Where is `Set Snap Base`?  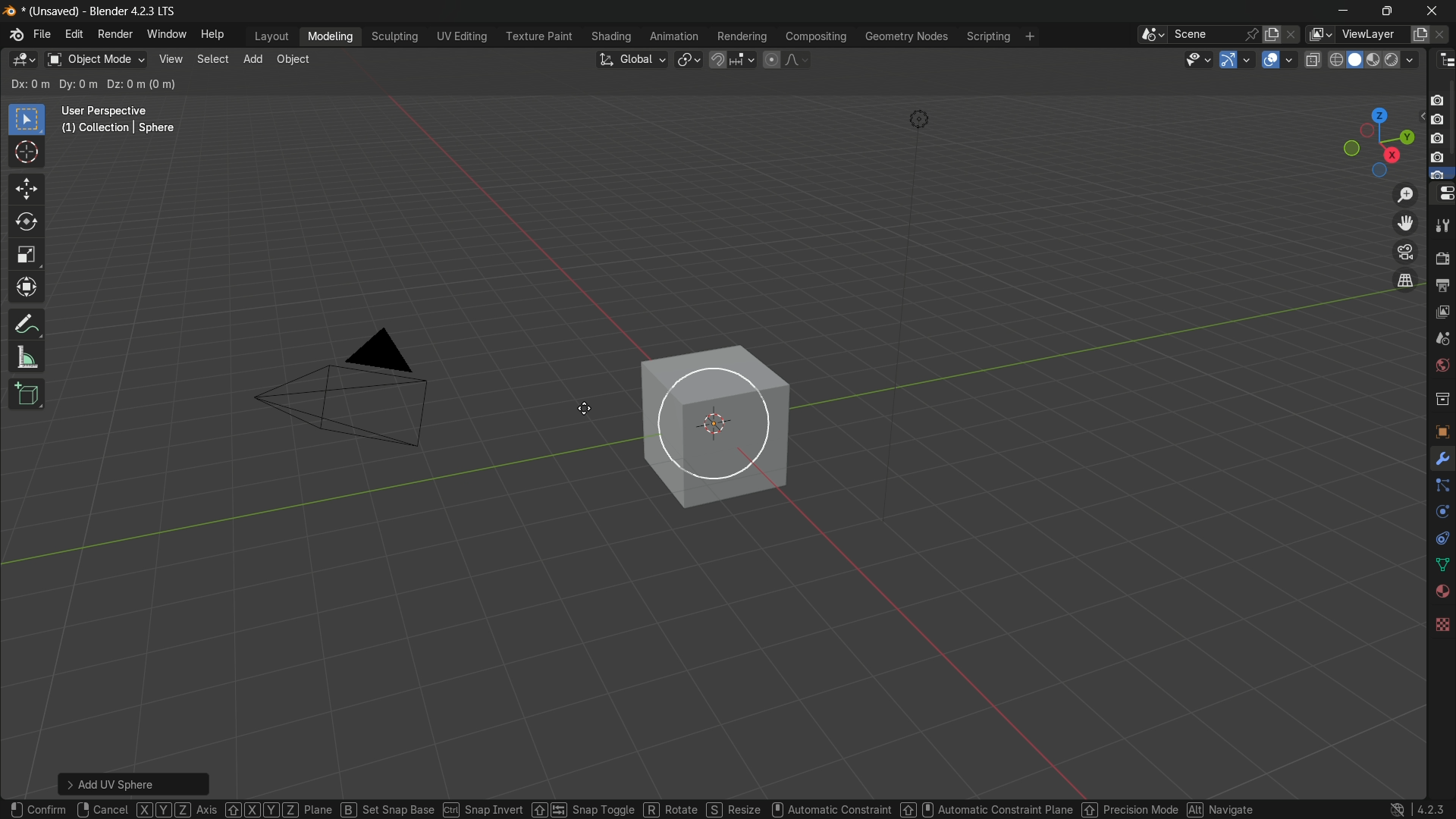 Set Snap Base is located at coordinates (387, 808).